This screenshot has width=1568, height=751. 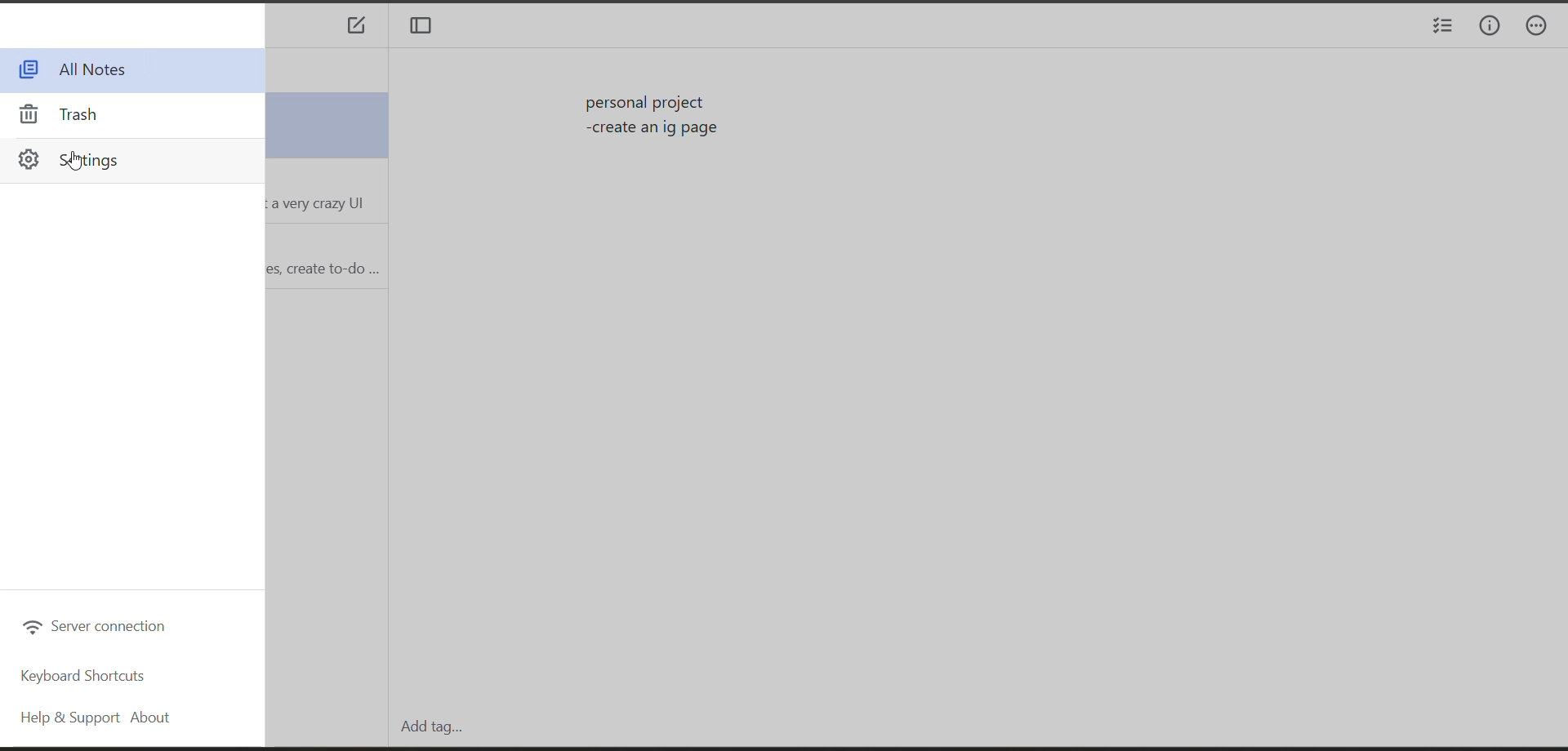 I want to click on server connection, so click(x=94, y=626).